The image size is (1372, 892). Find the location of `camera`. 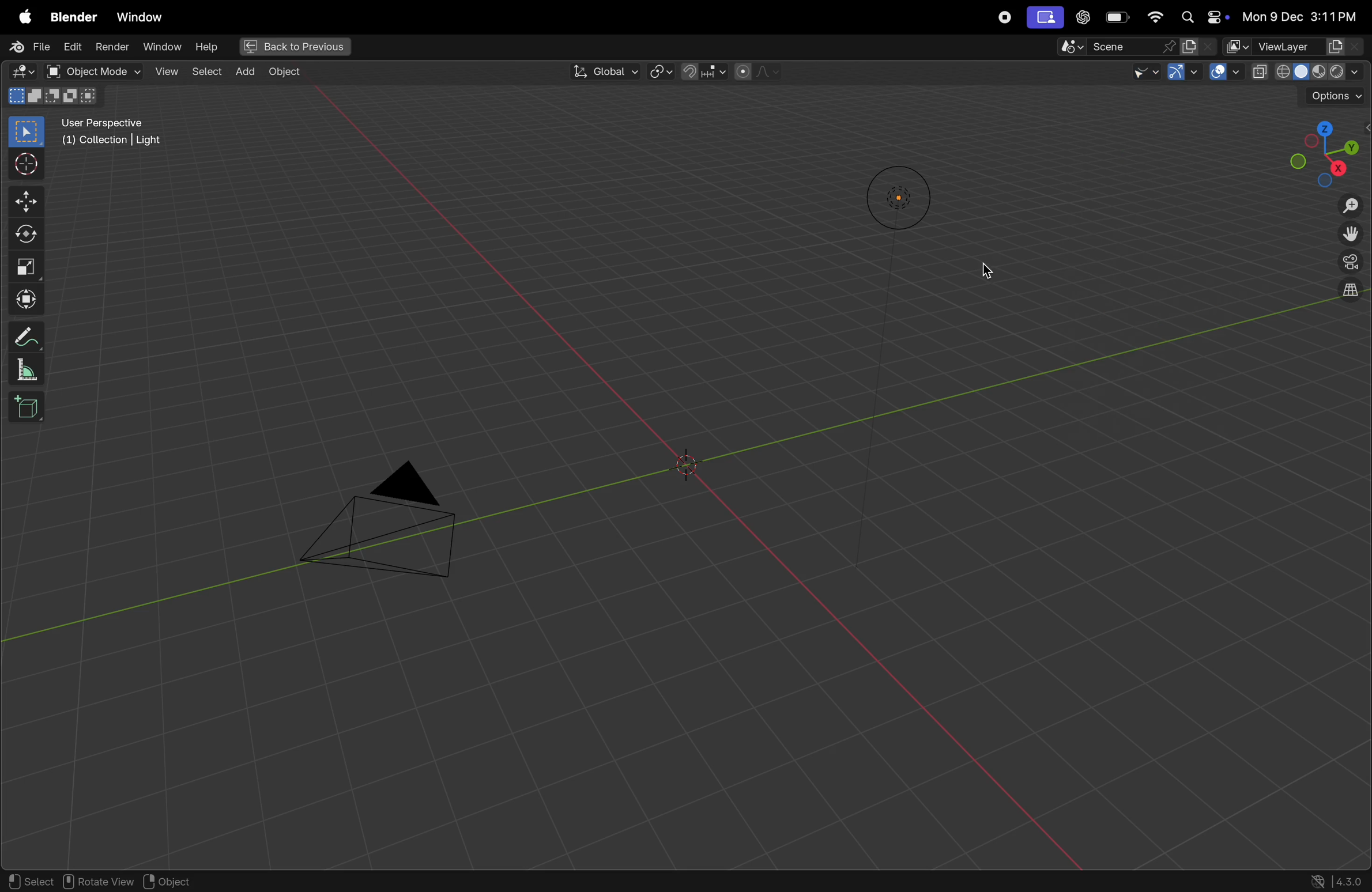

camera is located at coordinates (381, 527).